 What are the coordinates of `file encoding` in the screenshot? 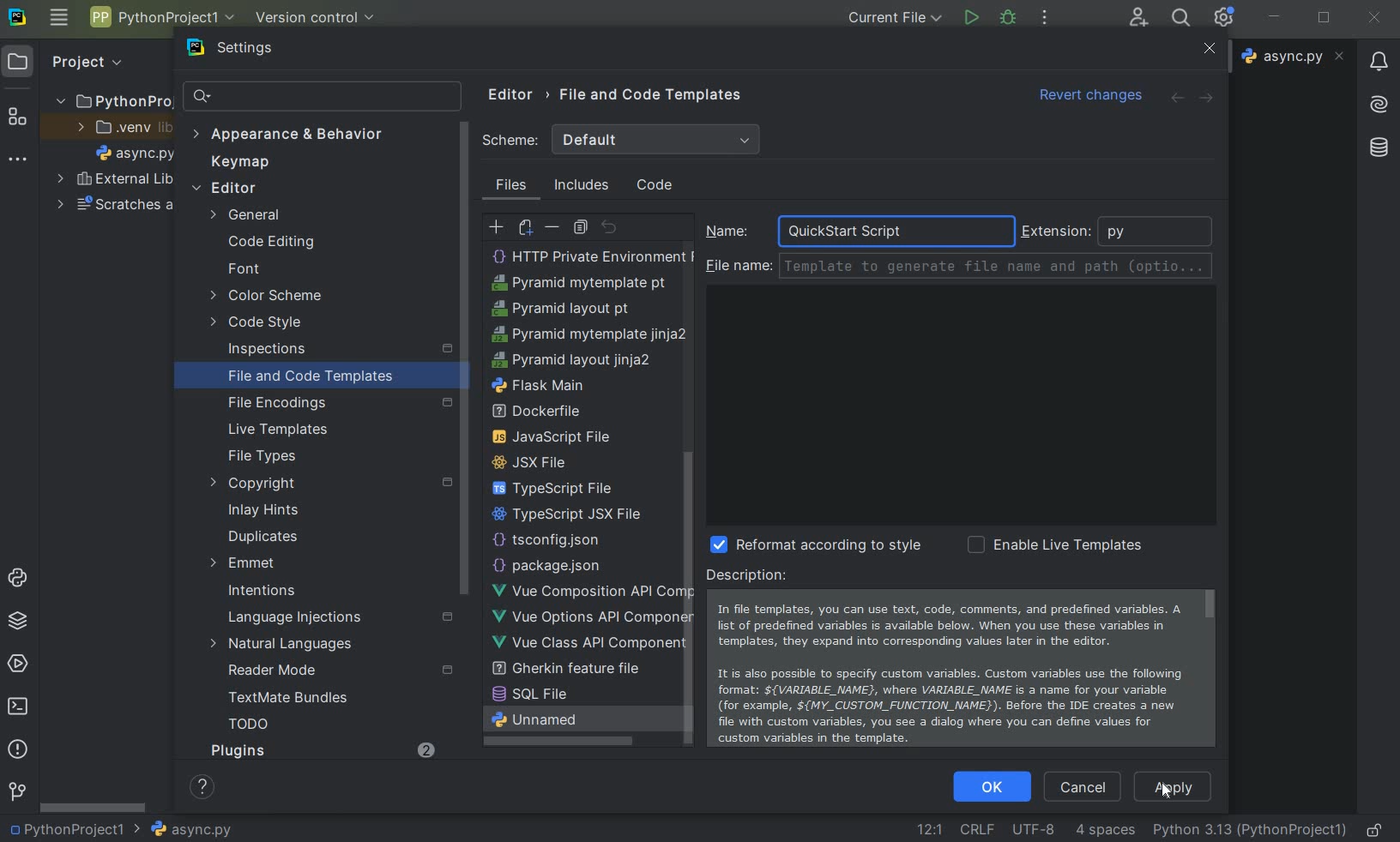 It's located at (335, 405).